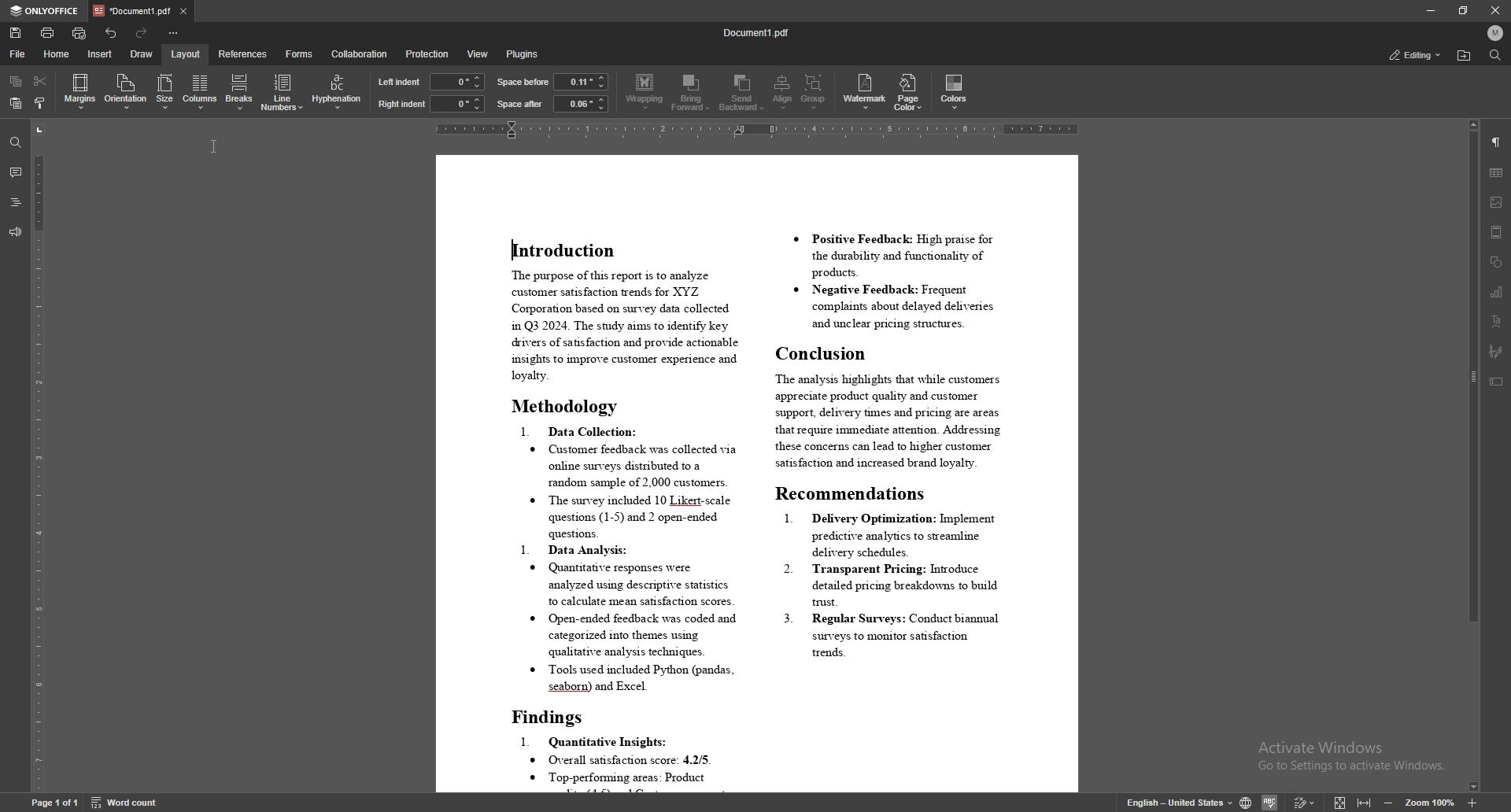 Image resolution: width=1511 pixels, height=812 pixels. What do you see at coordinates (200, 90) in the screenshot?
I see `columns` at bounding box center [200, 90].